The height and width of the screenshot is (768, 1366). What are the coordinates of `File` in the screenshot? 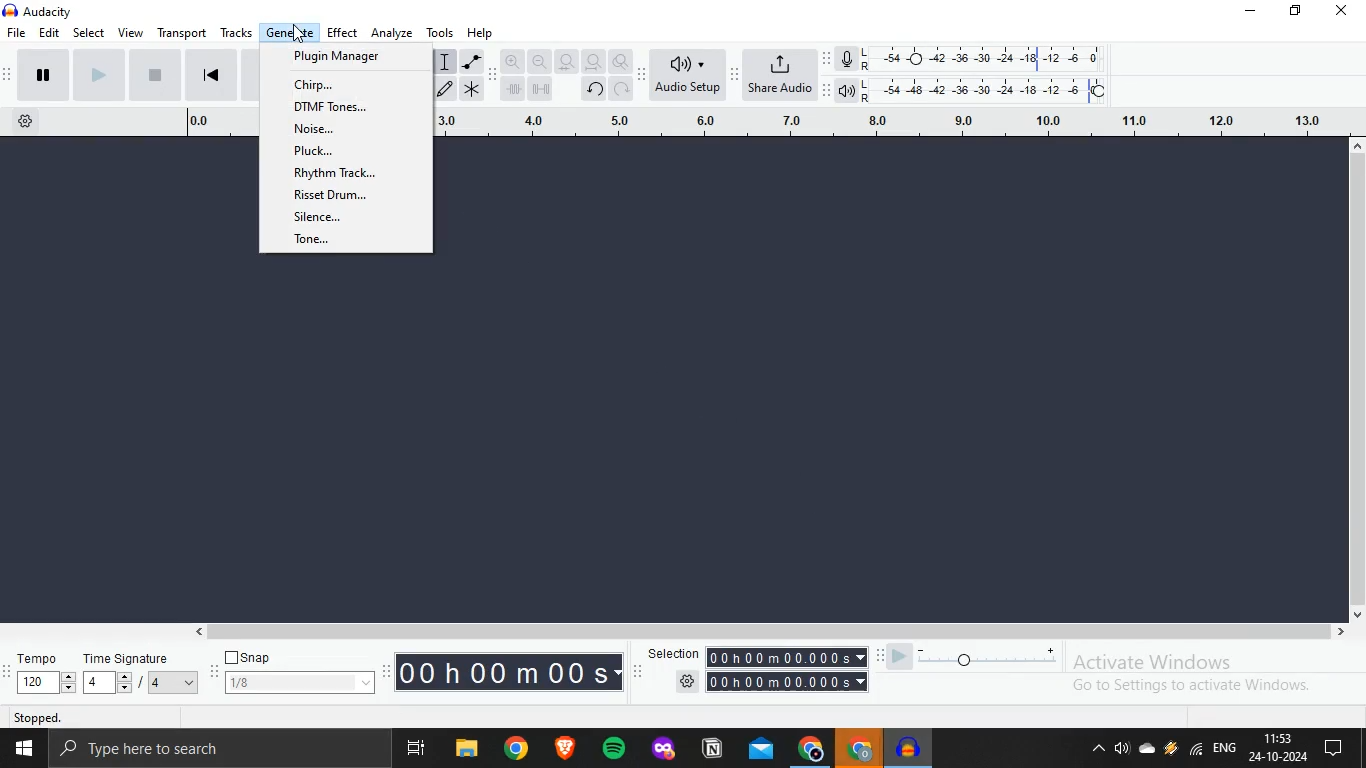 It's located at (17, 33).